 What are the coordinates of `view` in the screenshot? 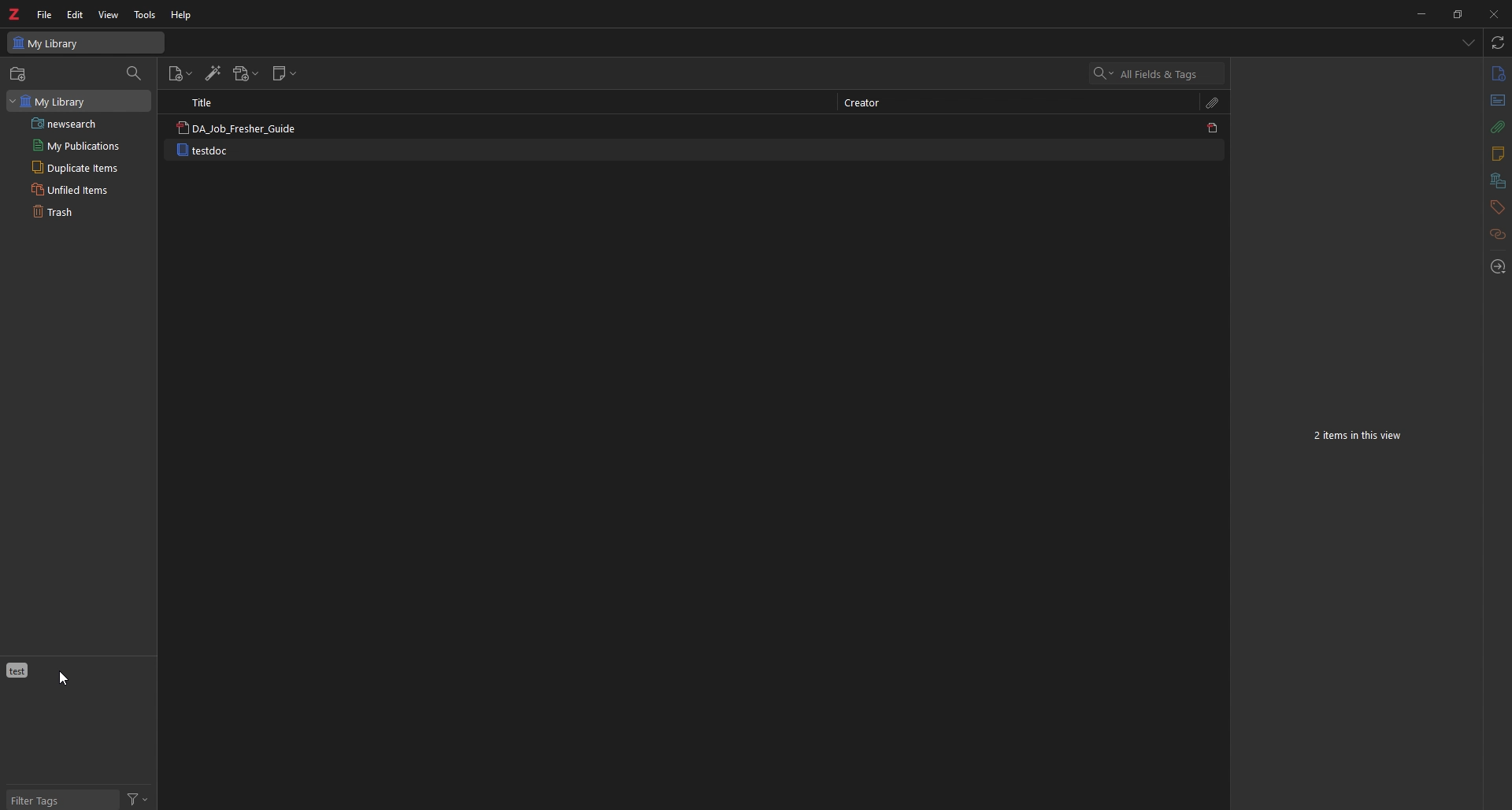 It's located at (108, 15).